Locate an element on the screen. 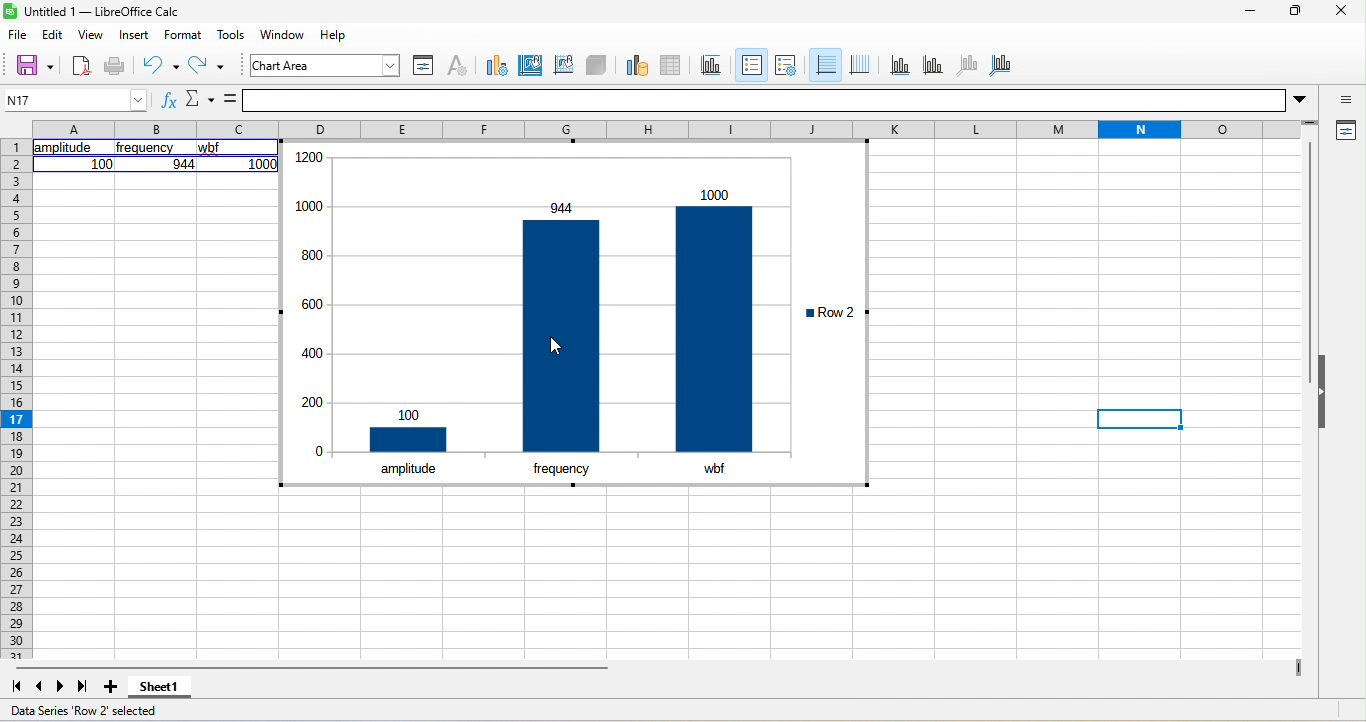 Image resolution: width=1366 pixels, height=722 pixels. horizontal grid is located at coordinates (825, 65).